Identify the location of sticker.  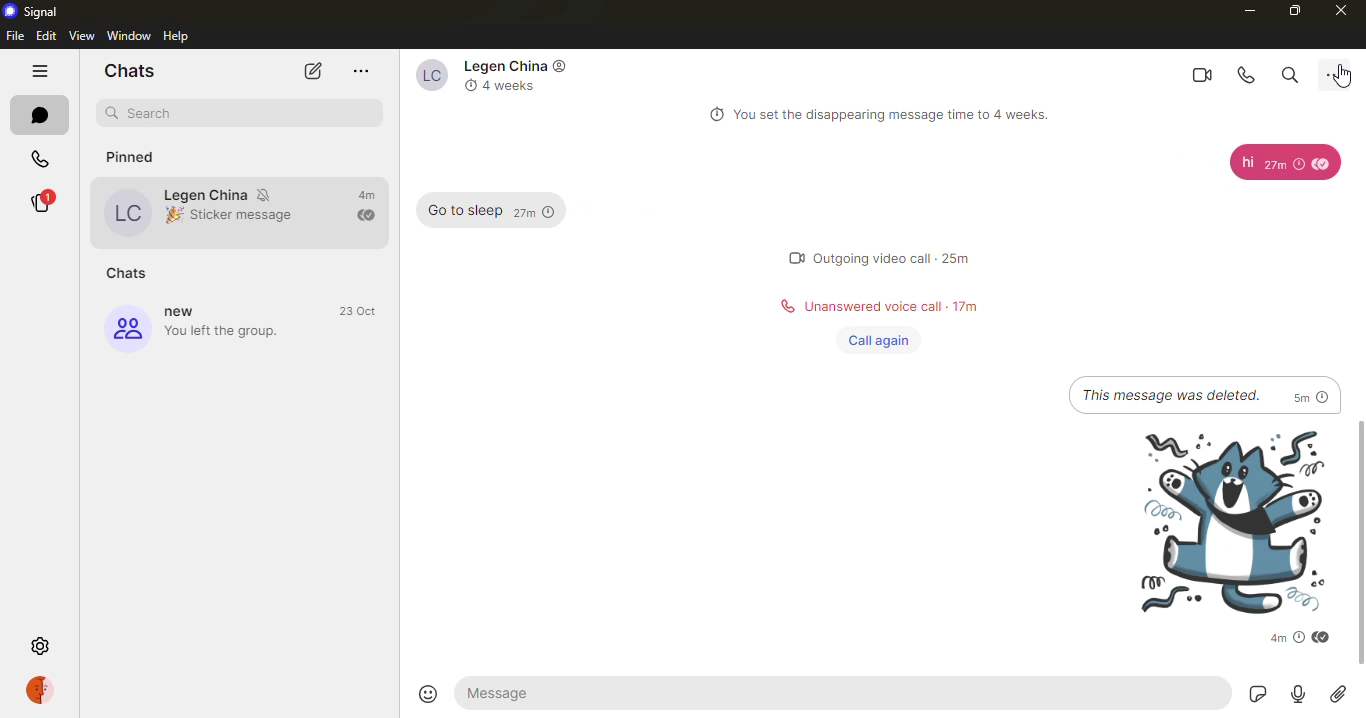
(1255, 695).